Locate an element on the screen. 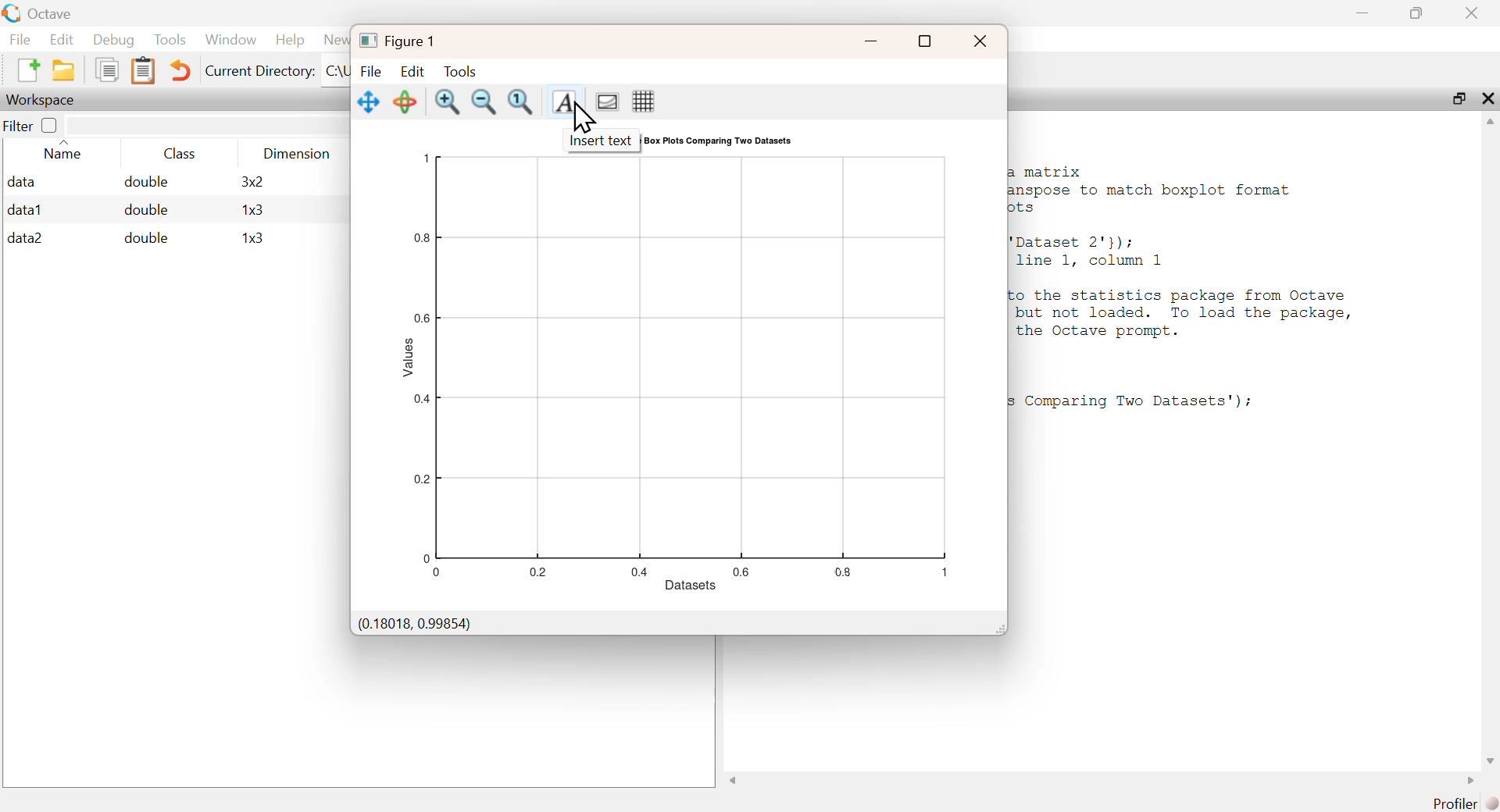 The width and height of the screenshot is (1500, 812). data1 is located at coordinates (26, 208).